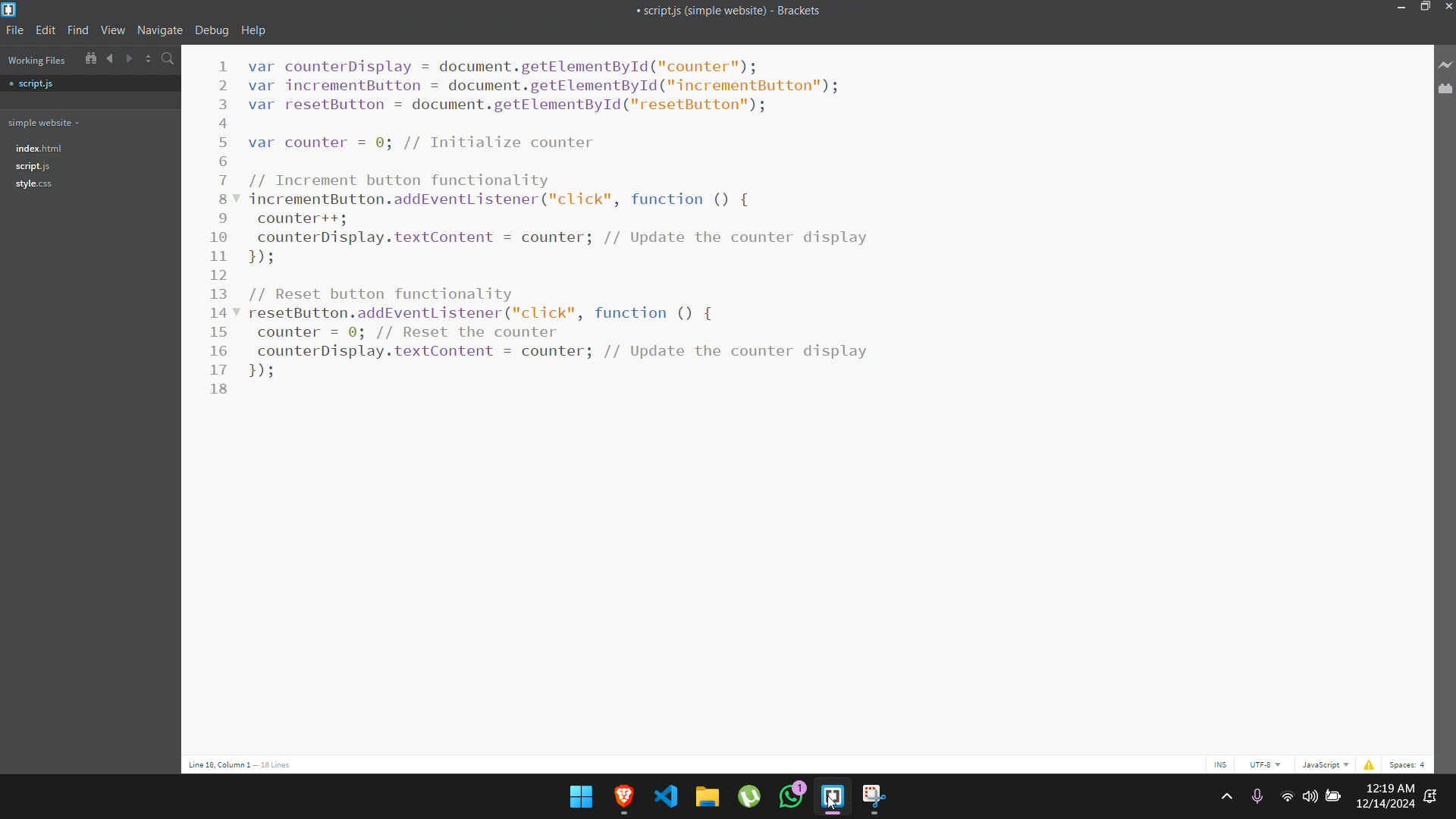  I want to click on move backward, so click(108, 58).